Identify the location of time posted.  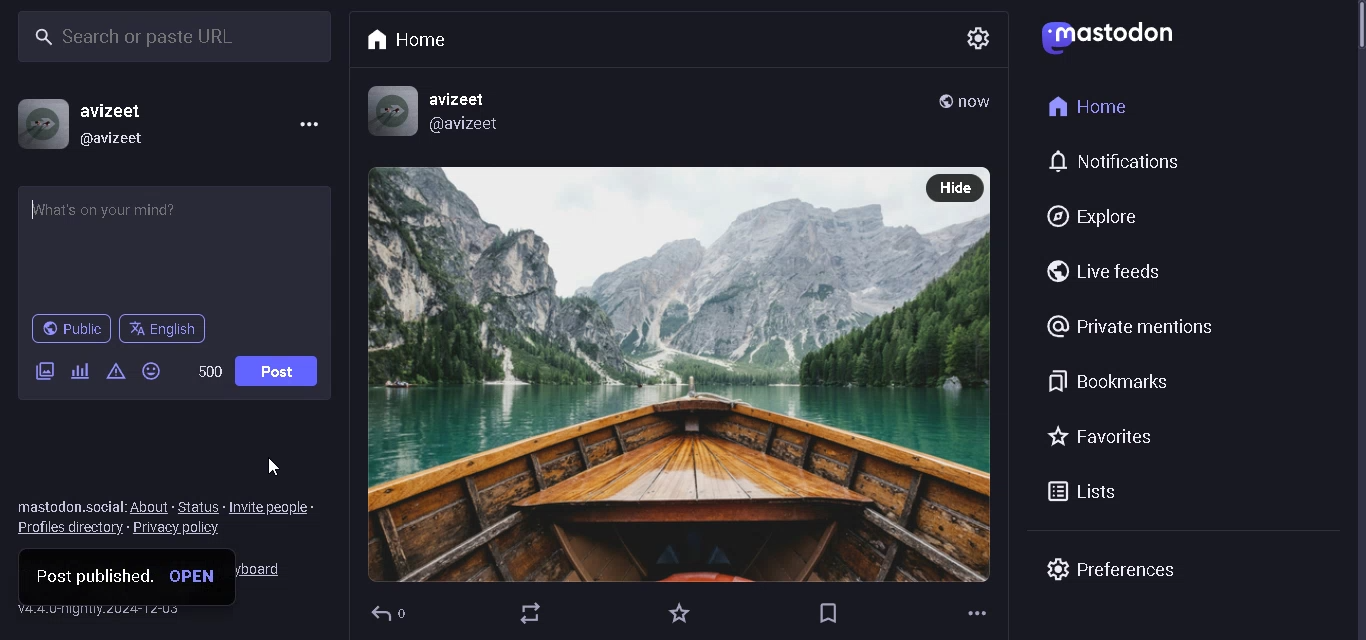
(978, 105).